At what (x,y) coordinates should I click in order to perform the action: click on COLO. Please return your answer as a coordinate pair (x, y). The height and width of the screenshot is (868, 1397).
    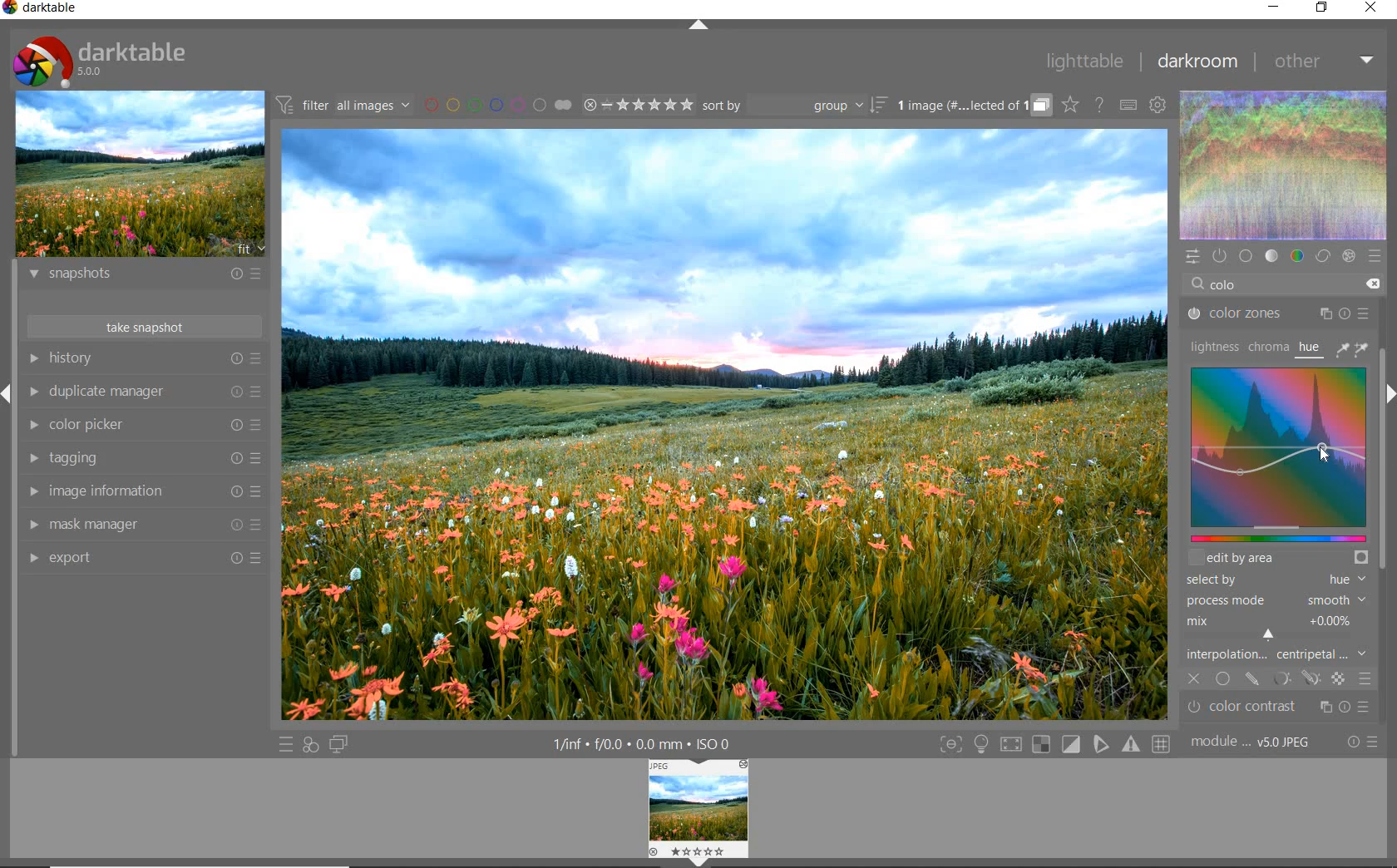
    Looking at the image, I should click on (1244, 286).